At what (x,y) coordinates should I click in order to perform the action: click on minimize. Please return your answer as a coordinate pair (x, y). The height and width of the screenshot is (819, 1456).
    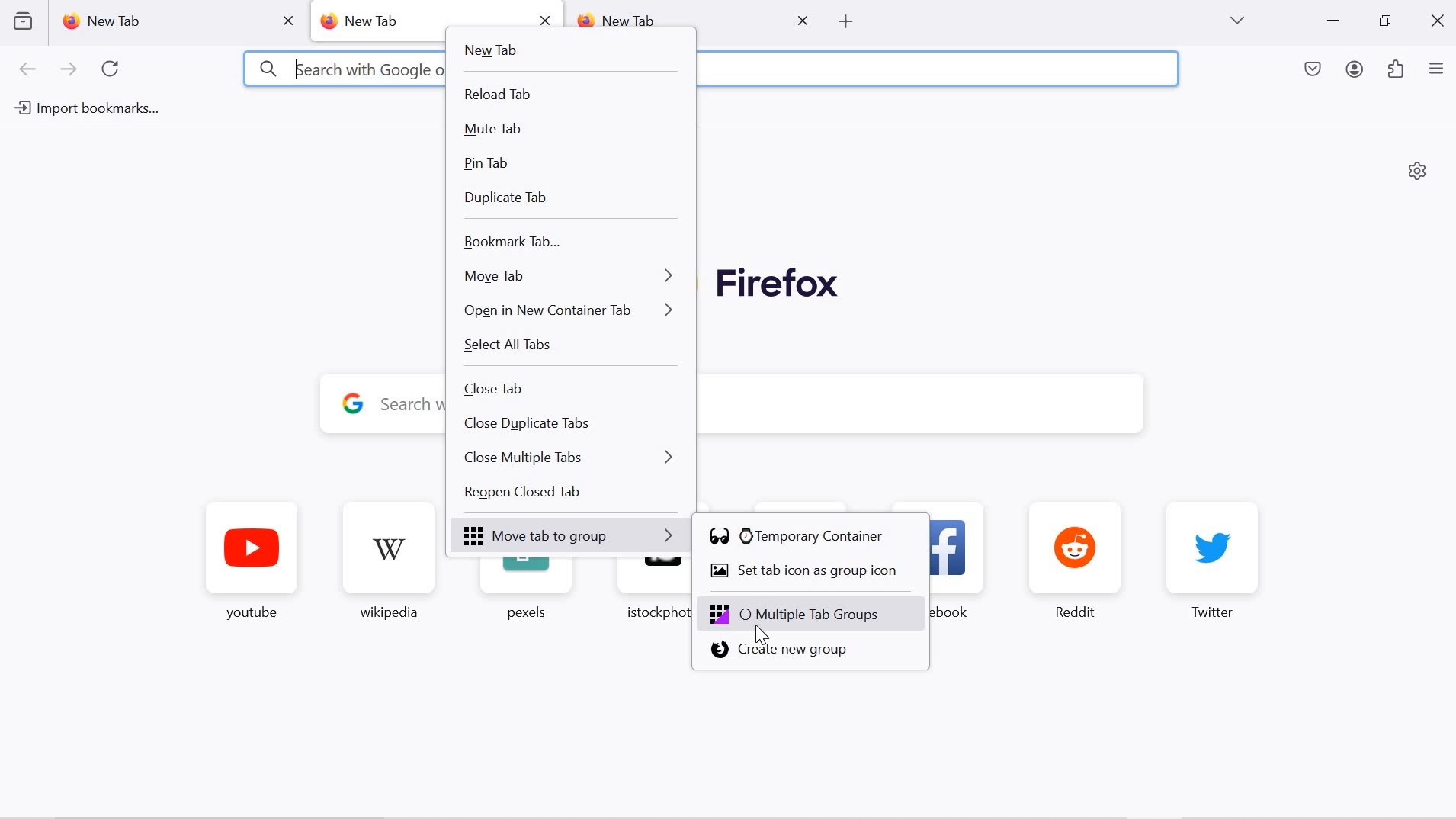
    Looking at the image, I should click on (1333, 22).